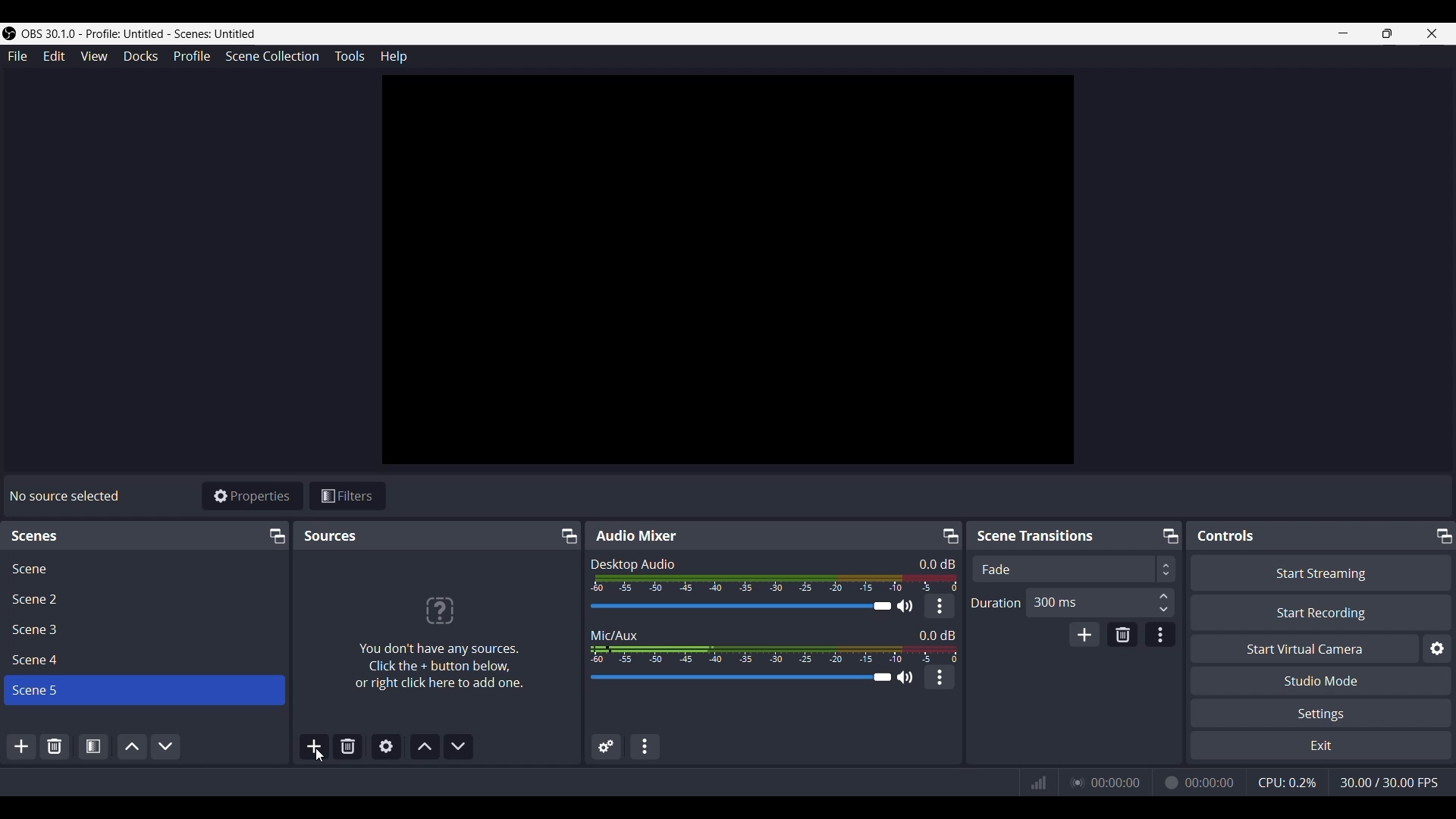 This screenshot has height=819, width=1456. I want to click on Studio Mode, so click(1322, 680).